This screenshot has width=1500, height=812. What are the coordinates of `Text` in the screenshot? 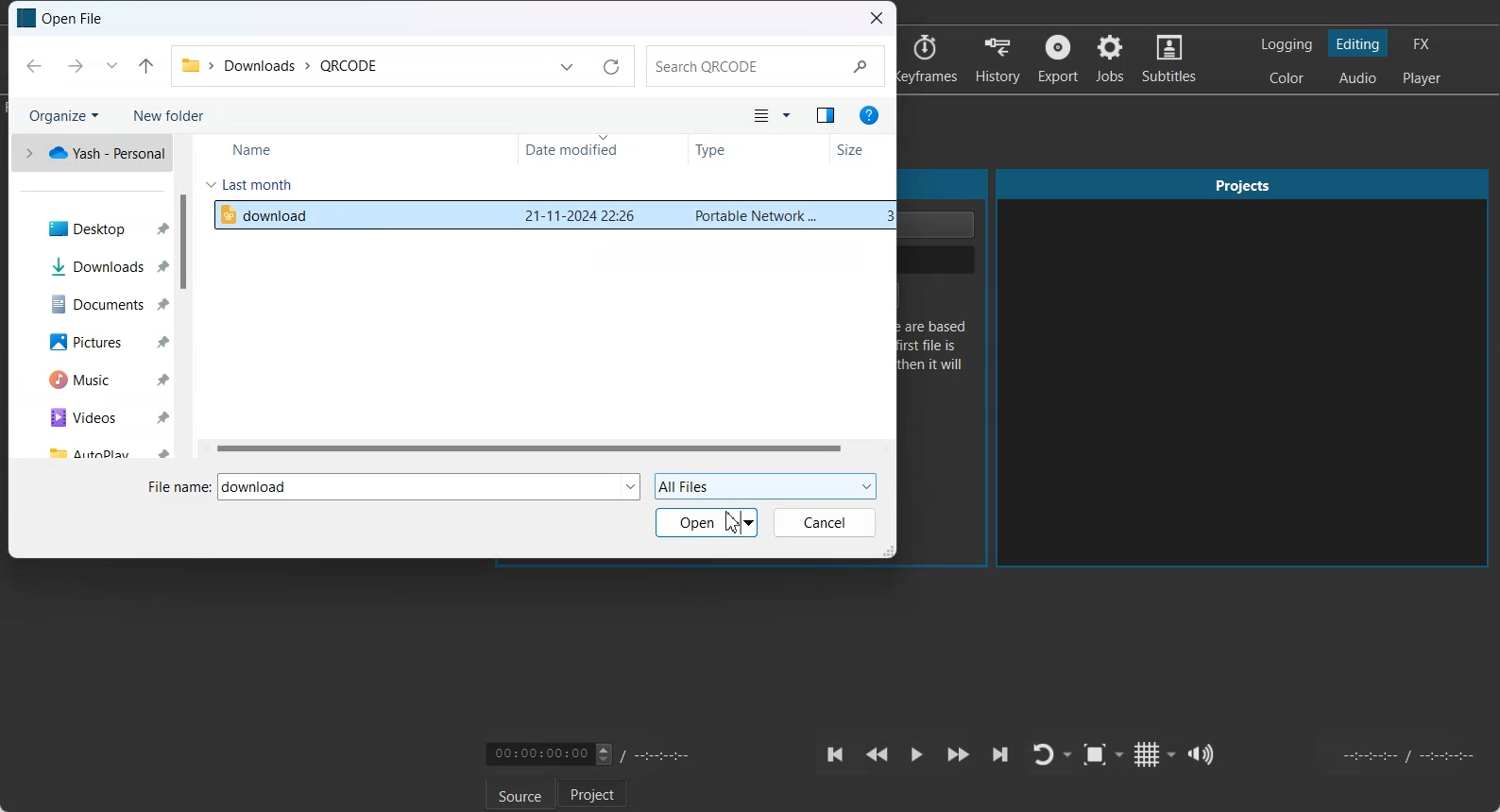 It's located at (936, 355).